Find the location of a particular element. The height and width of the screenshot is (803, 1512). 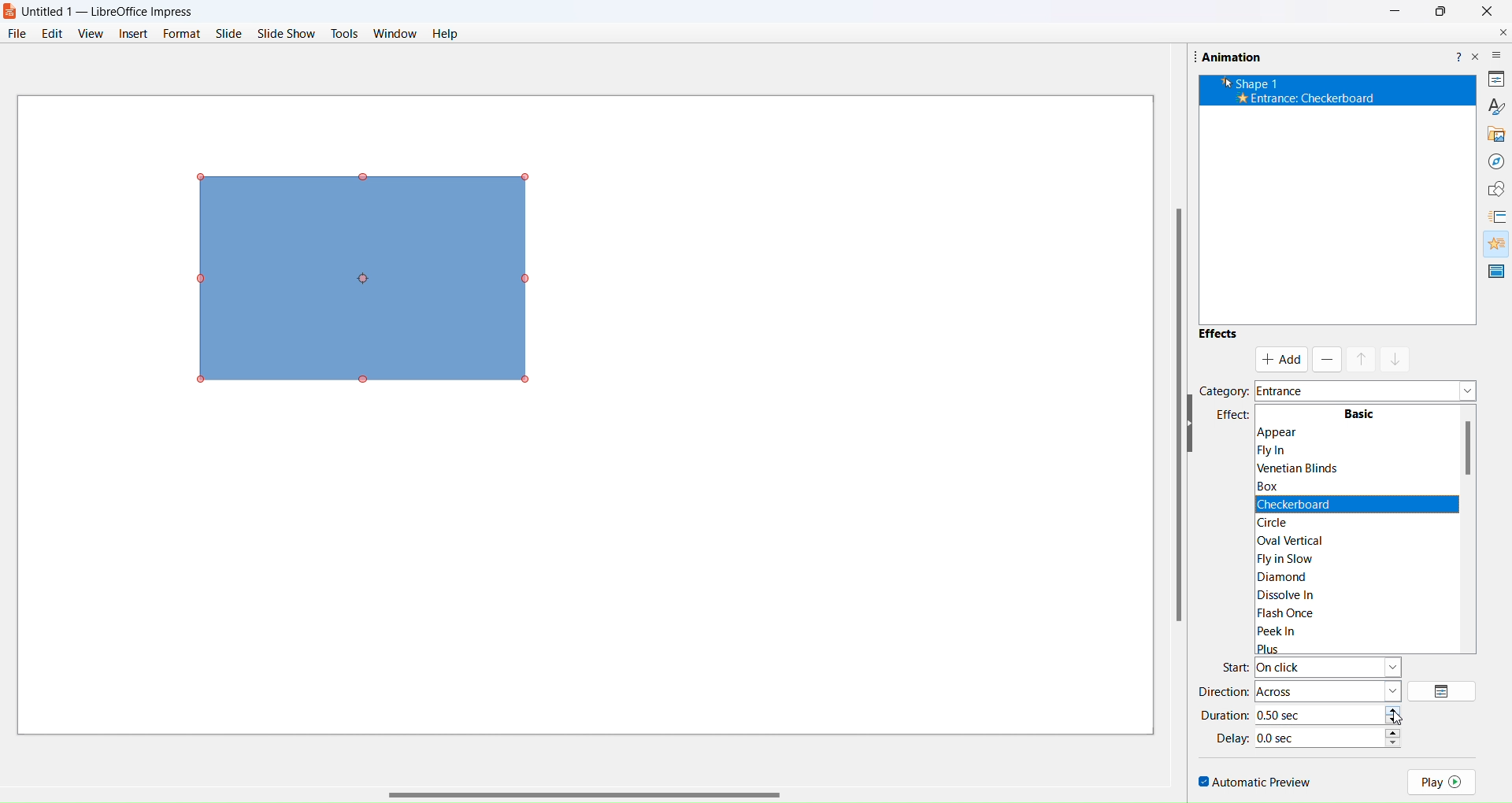

help is located at coordinates (1457, 54).